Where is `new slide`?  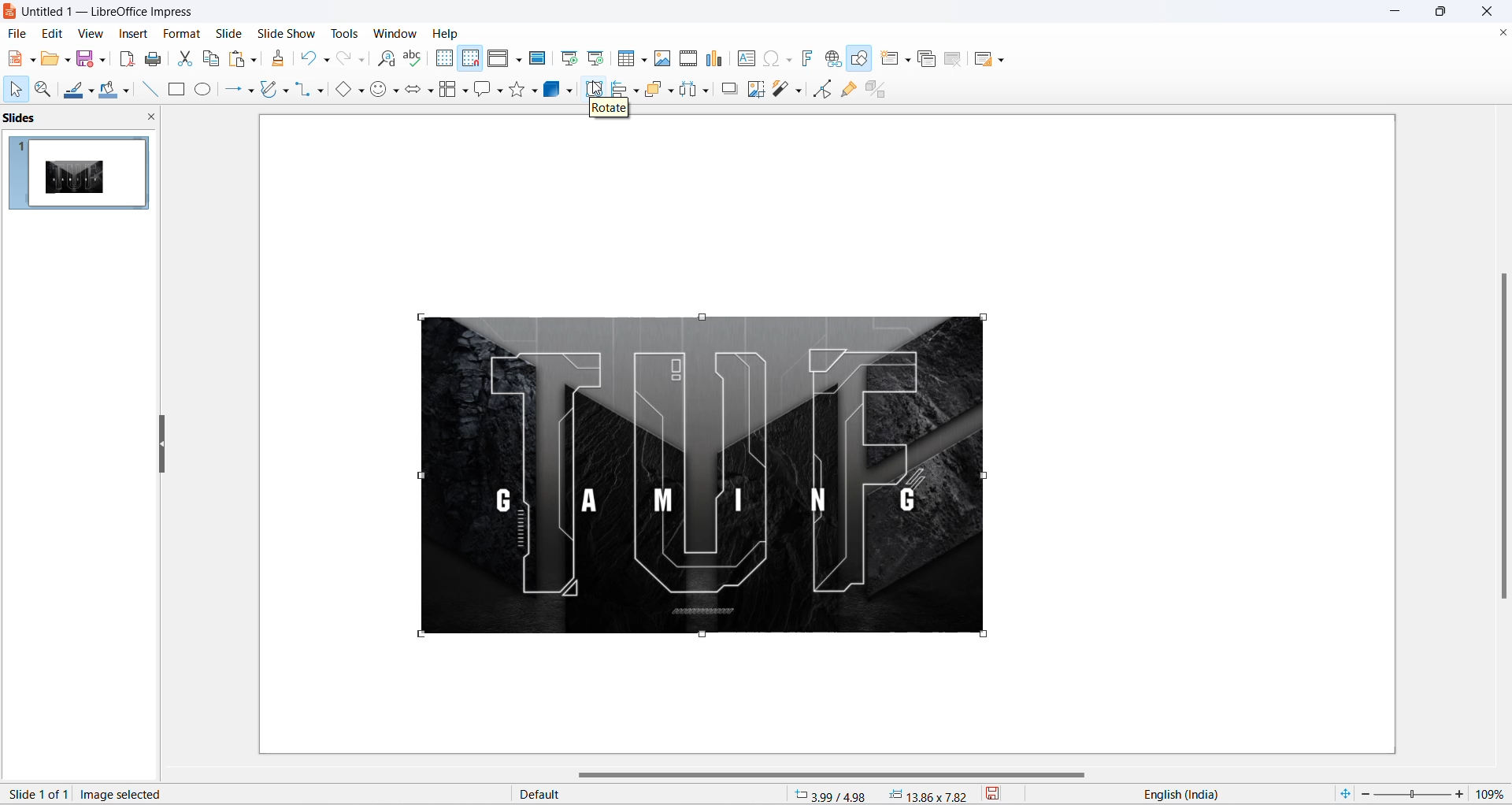
new slide is located at coordinates (890, 58).